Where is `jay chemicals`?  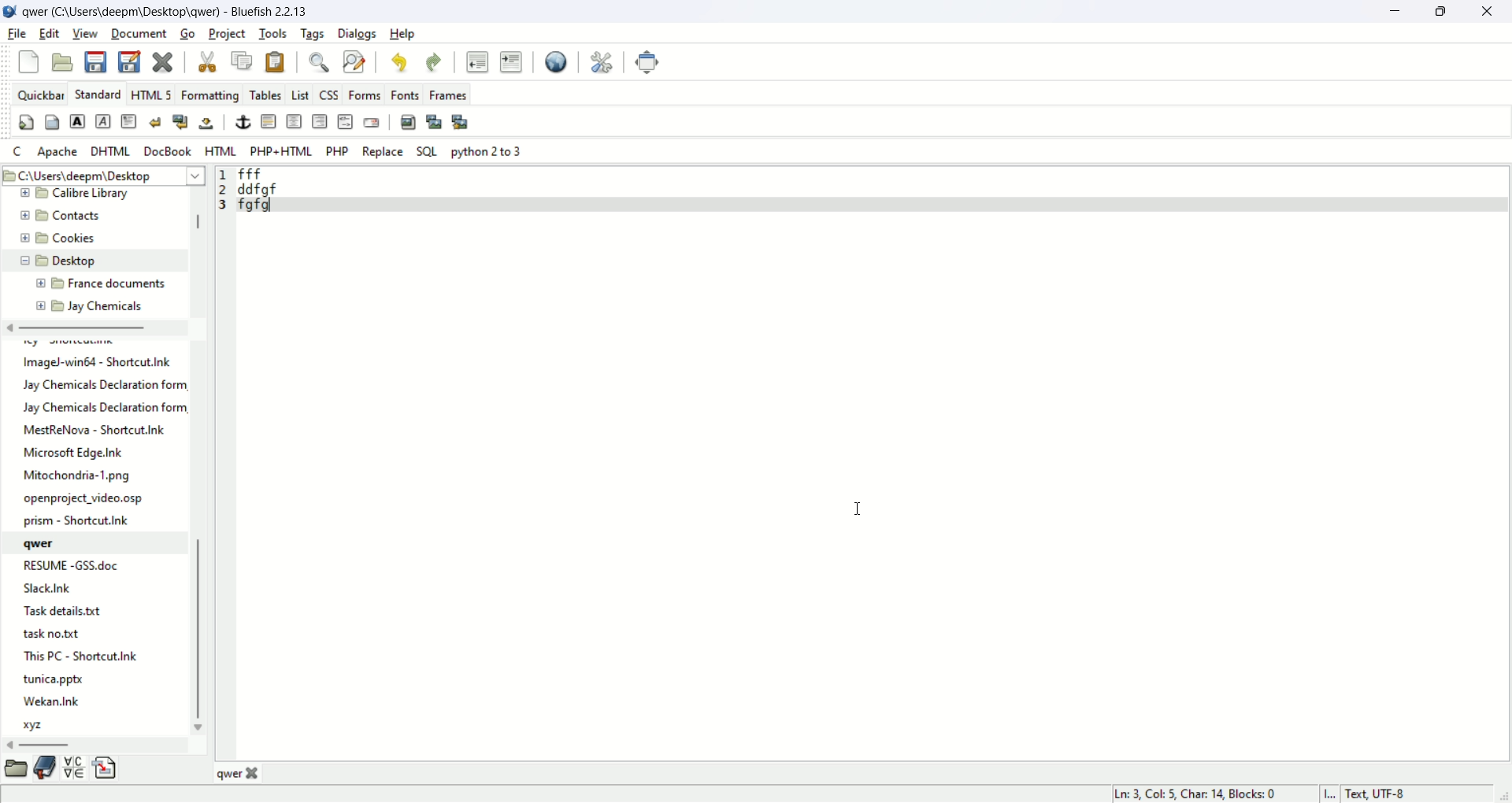
jay chemicals is located at coordinates (94, 310).